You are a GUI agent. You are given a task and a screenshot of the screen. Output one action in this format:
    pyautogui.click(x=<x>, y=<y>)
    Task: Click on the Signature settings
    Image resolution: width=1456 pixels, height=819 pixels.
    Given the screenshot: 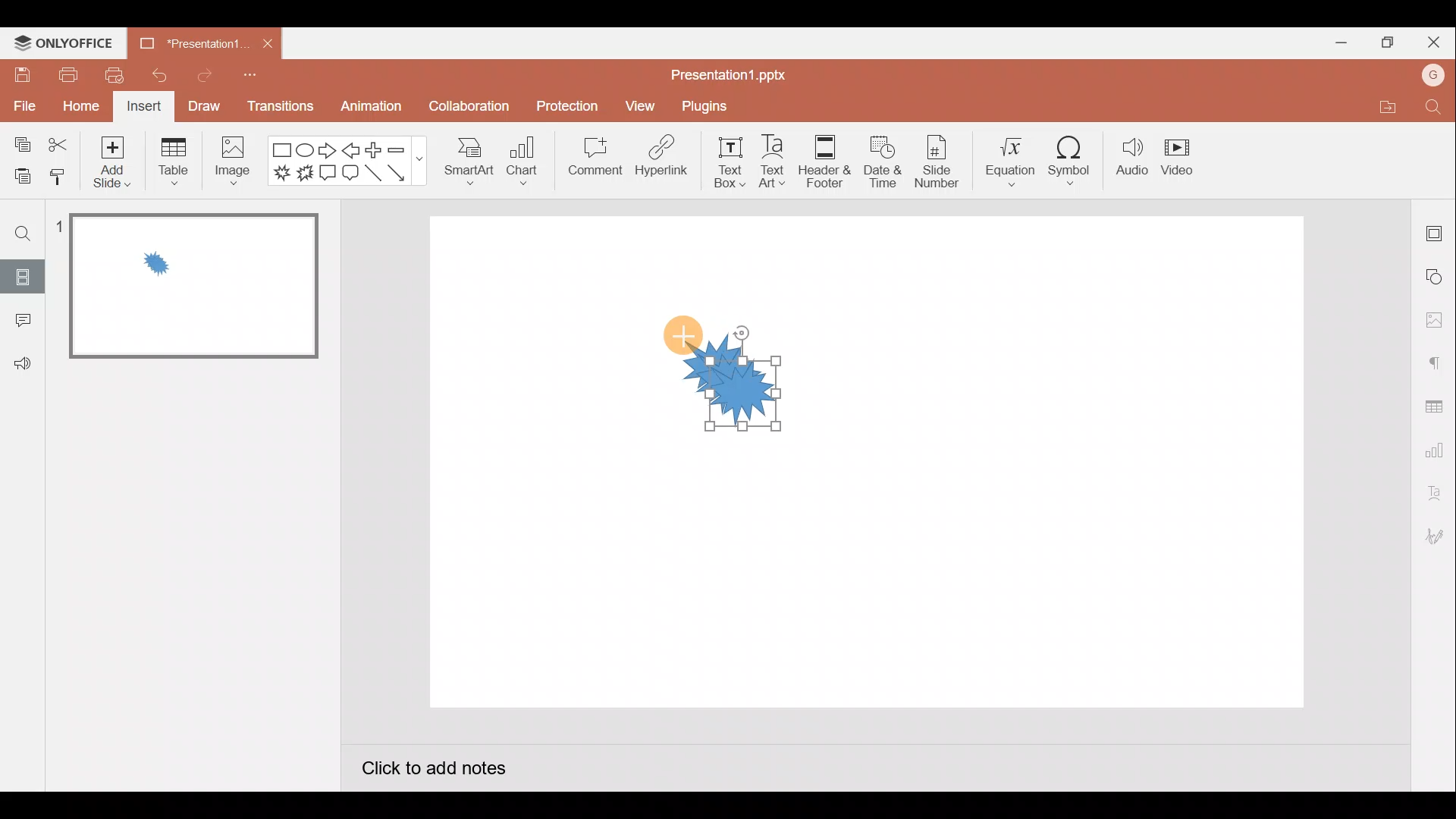 What is the action you would take?
    pyautogui.click(x=1437, y=535)
    